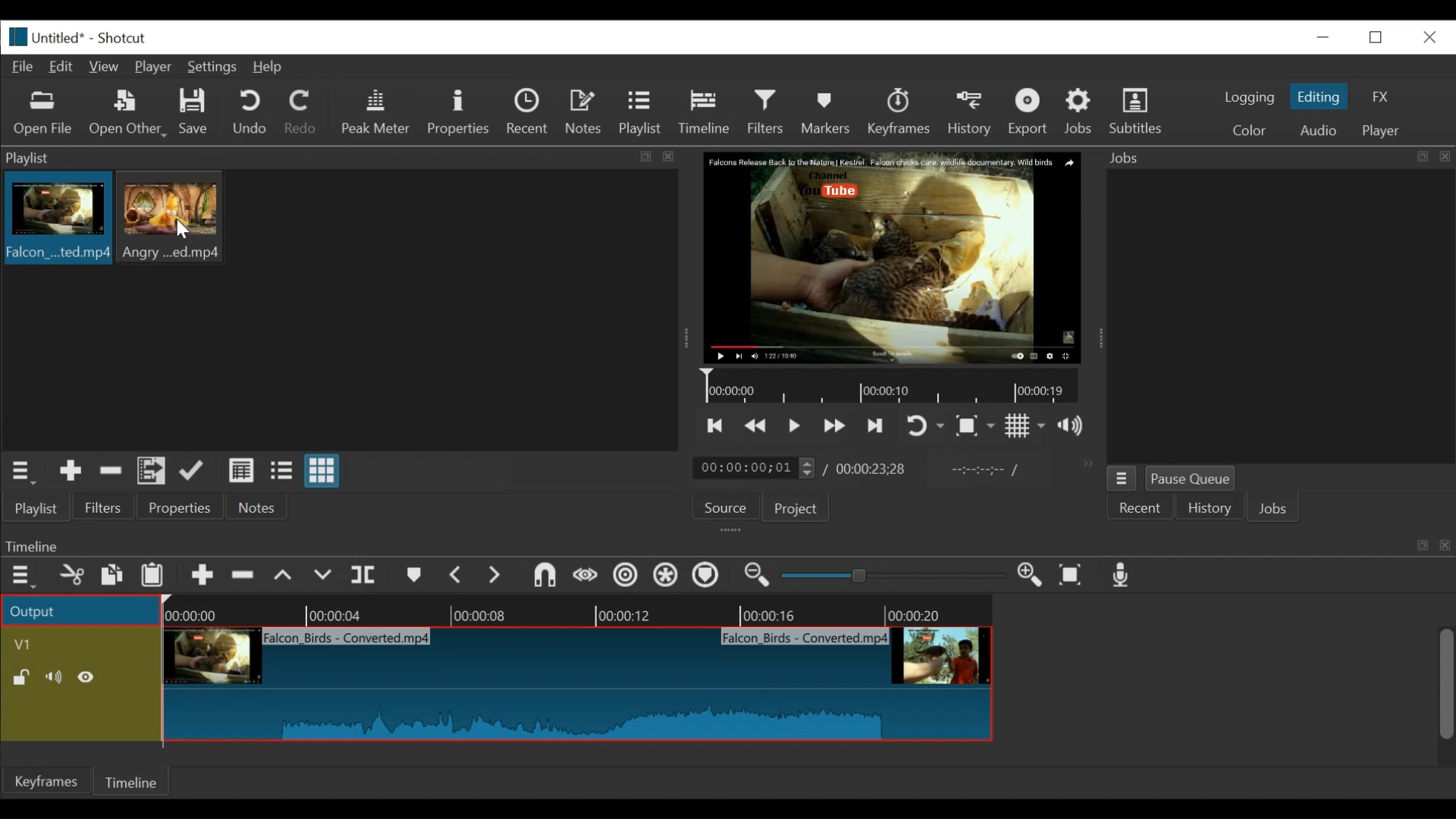 This screenshot has height=819, width=1456. I want to click on playlist, so click(35, 508).